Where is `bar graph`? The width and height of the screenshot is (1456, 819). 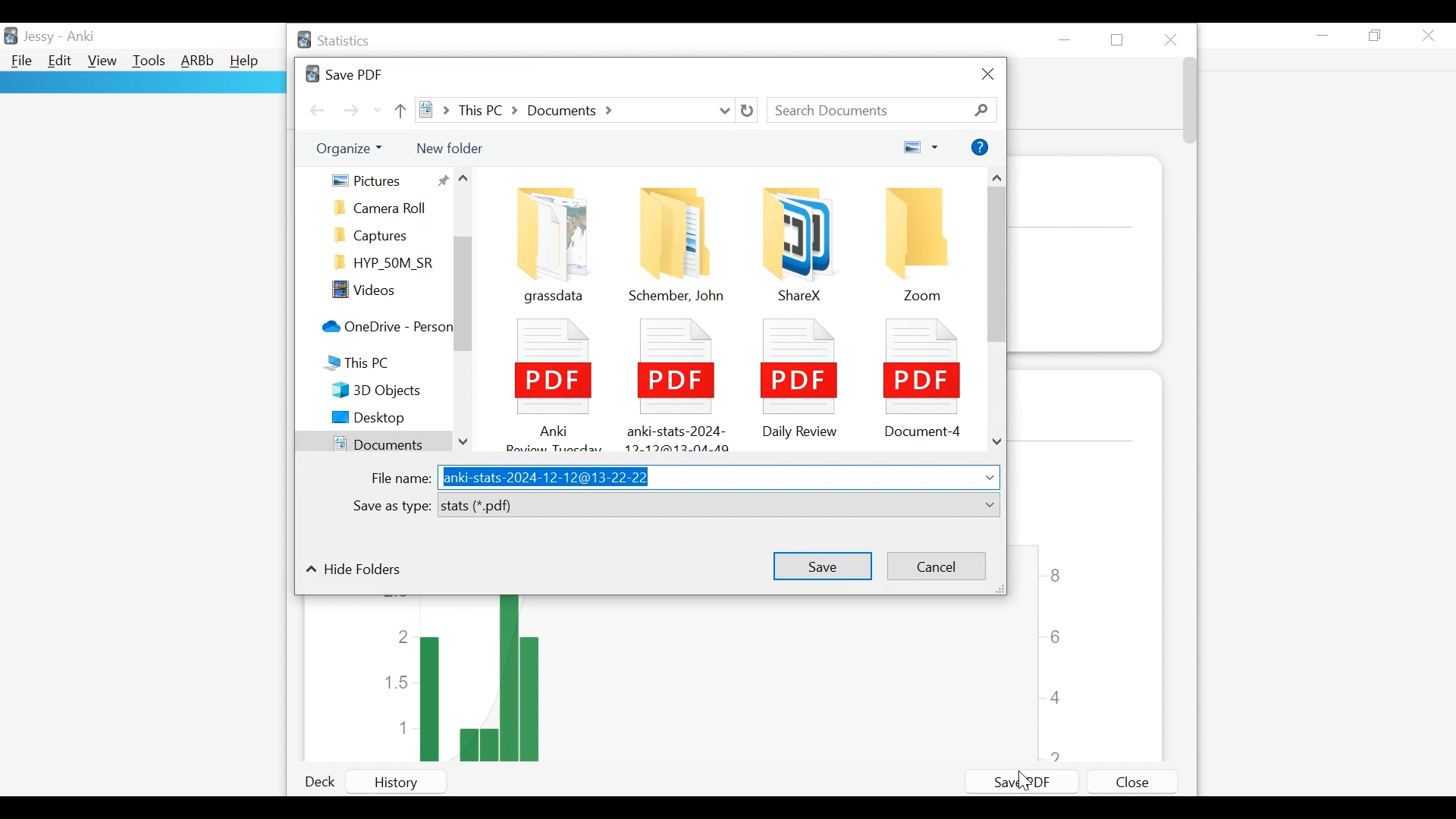 bar graph is located at coordinates (695, 679).